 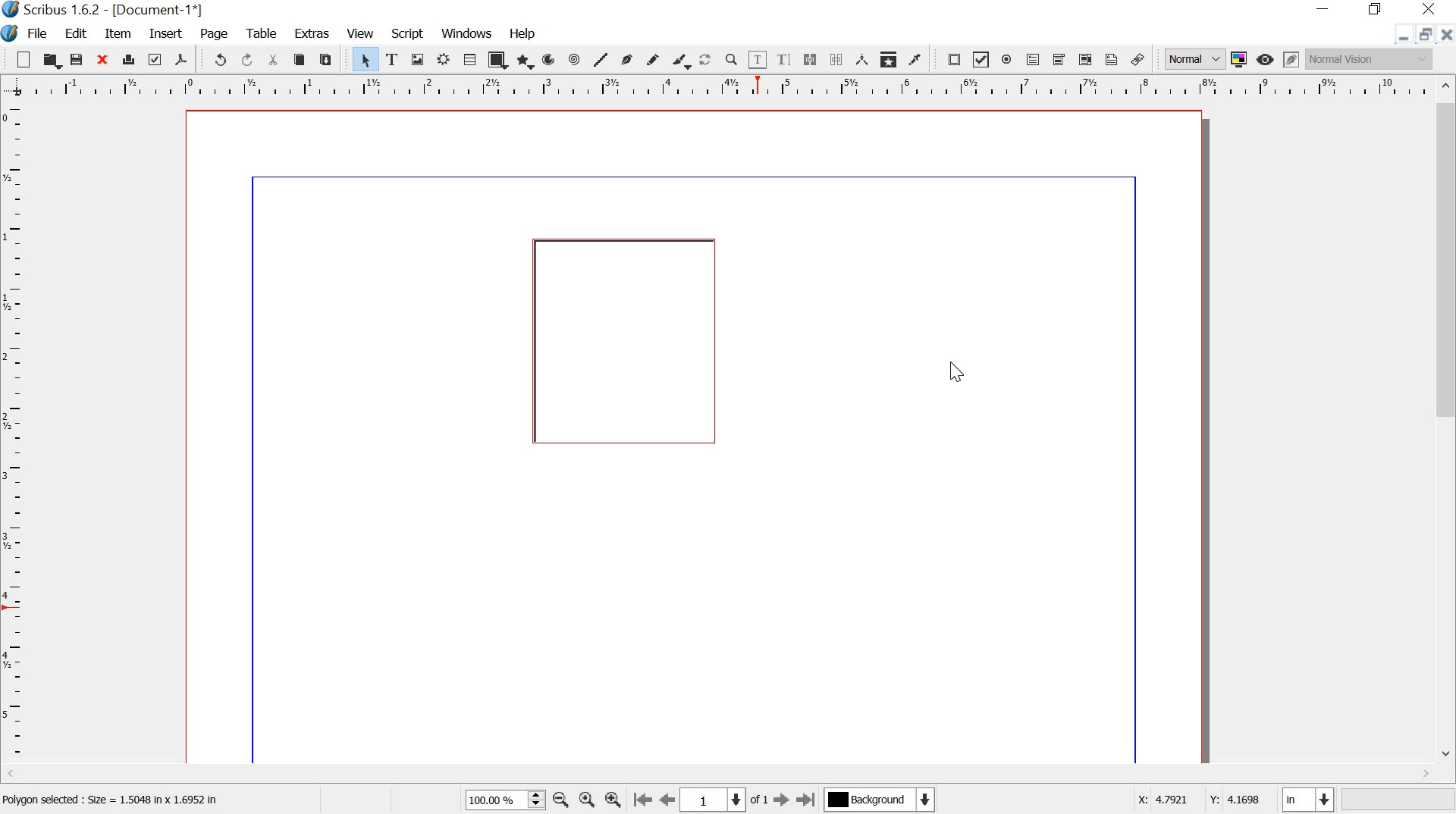 I want to click on ruler, so click(x=717, y=86).